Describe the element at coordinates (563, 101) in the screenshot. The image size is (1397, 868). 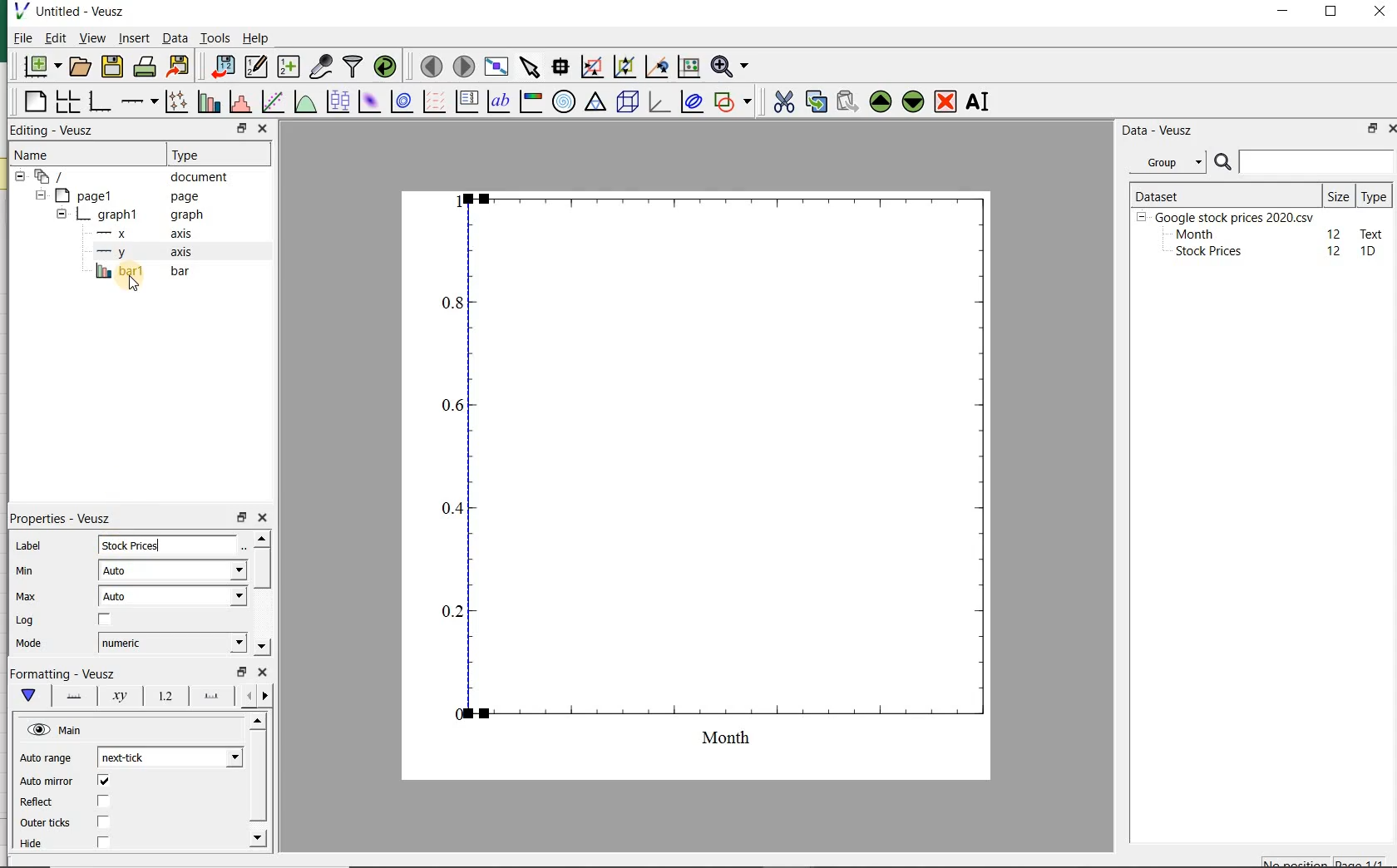
I see `polar graph` at that location.